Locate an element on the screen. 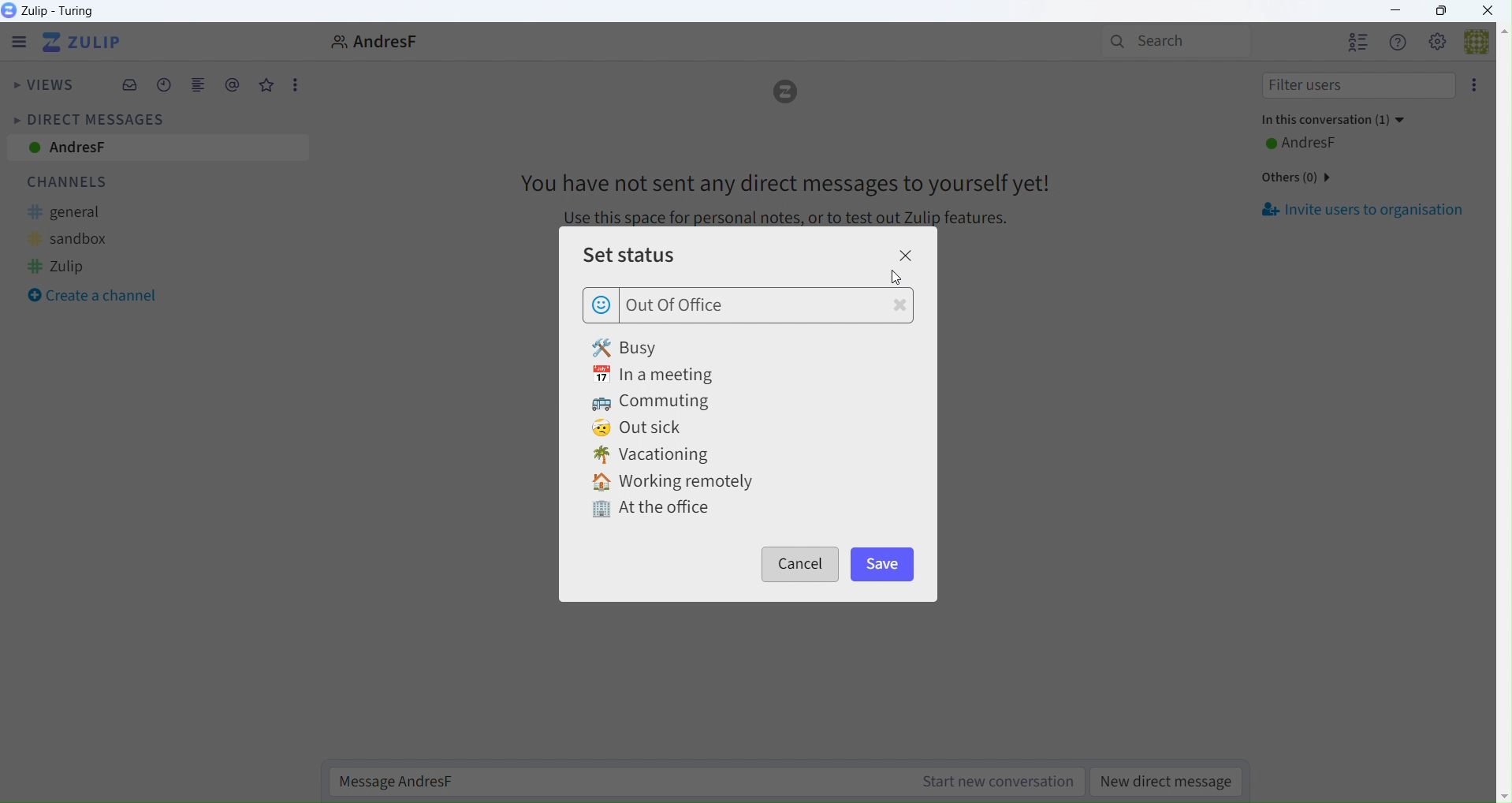  Mentions is located at coordinates (233, 85).